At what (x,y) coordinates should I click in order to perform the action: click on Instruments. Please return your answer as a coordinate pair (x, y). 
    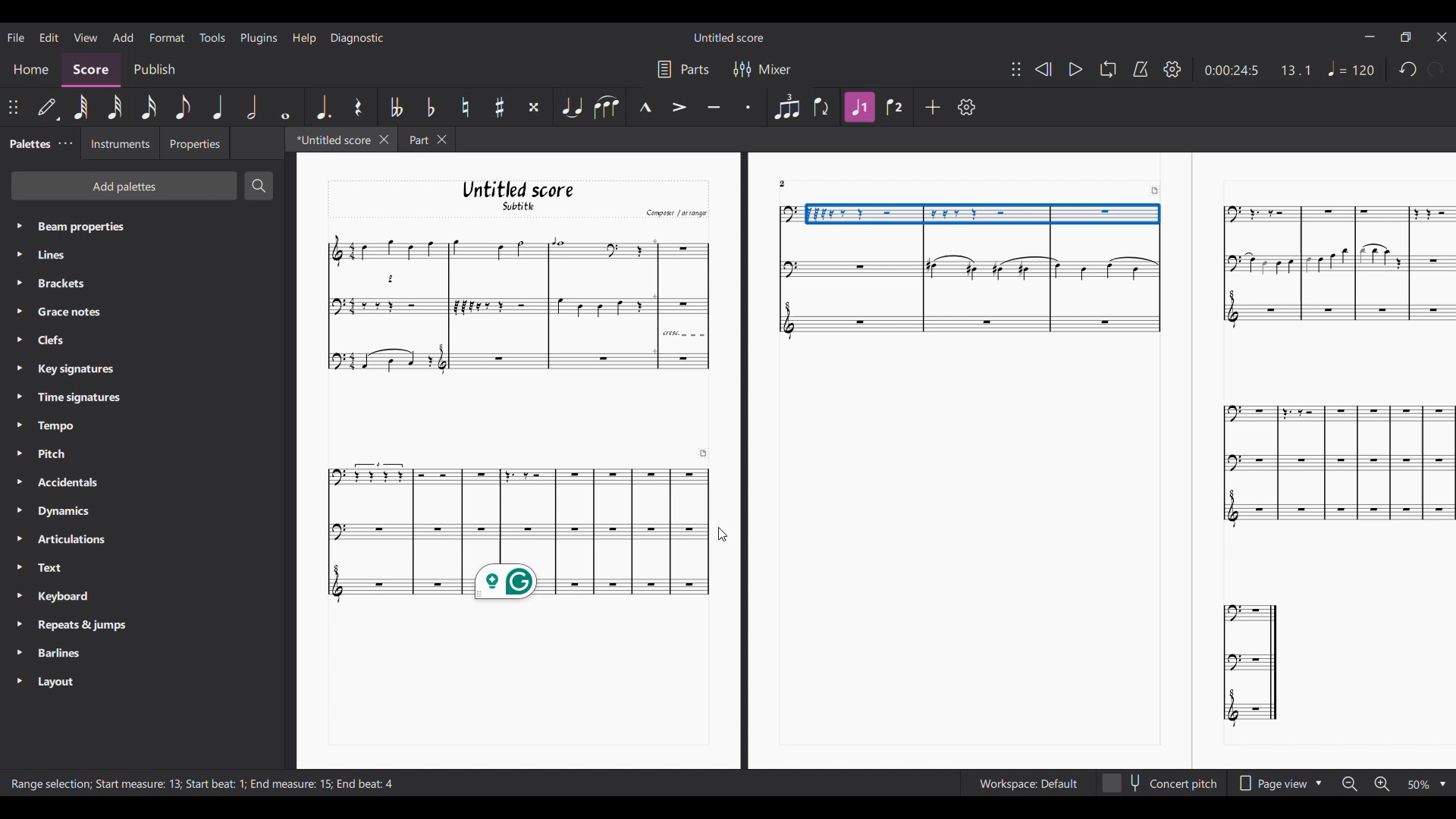
    Looking at the image, I should click on (116, 143).